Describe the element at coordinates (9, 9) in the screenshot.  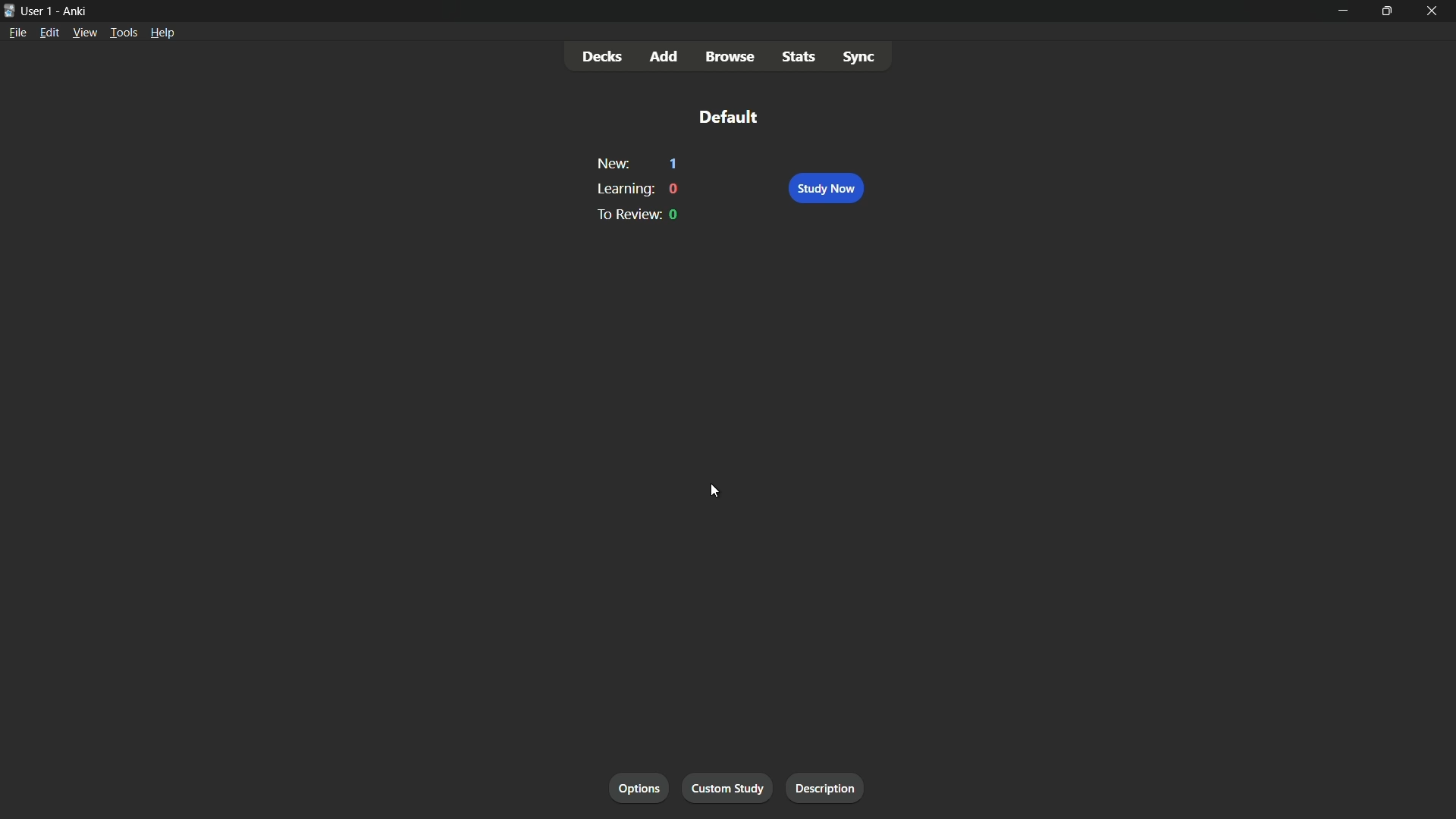
I see `icon` at that location.